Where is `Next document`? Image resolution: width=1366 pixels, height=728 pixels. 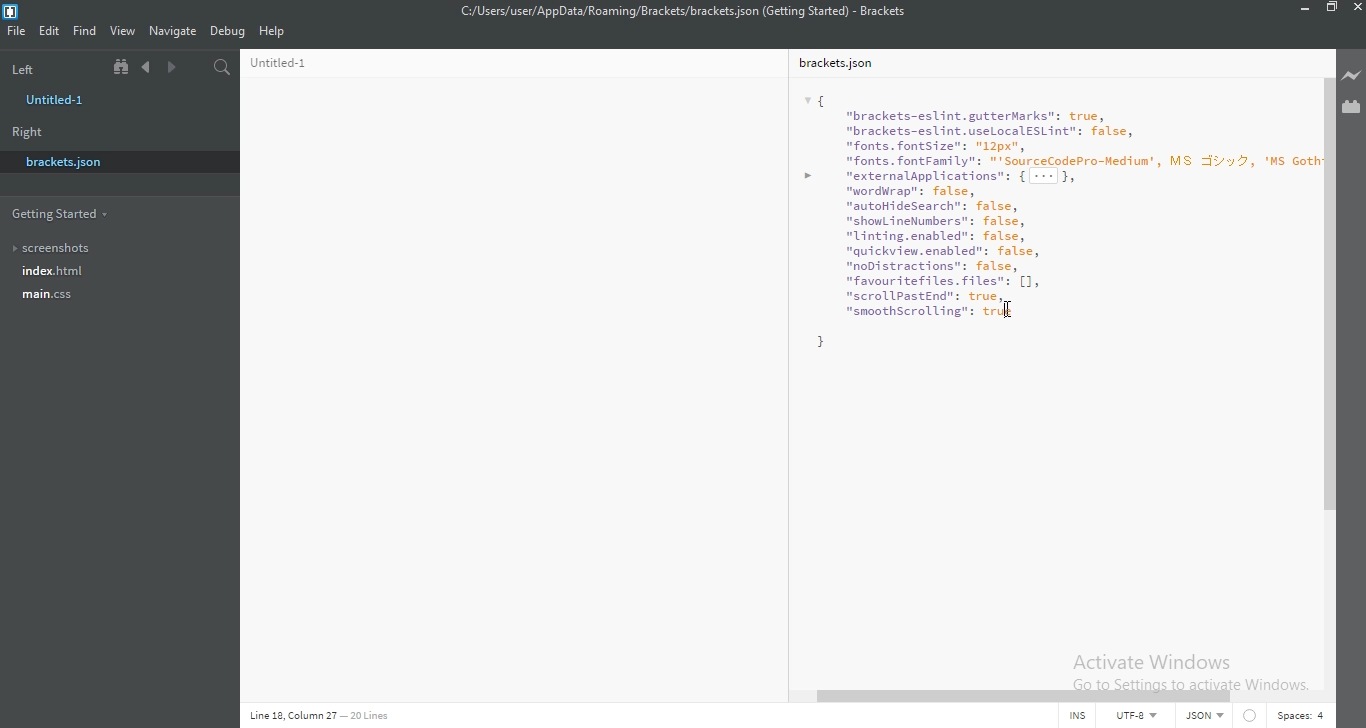 Next document is located at coordinates (172, 69).